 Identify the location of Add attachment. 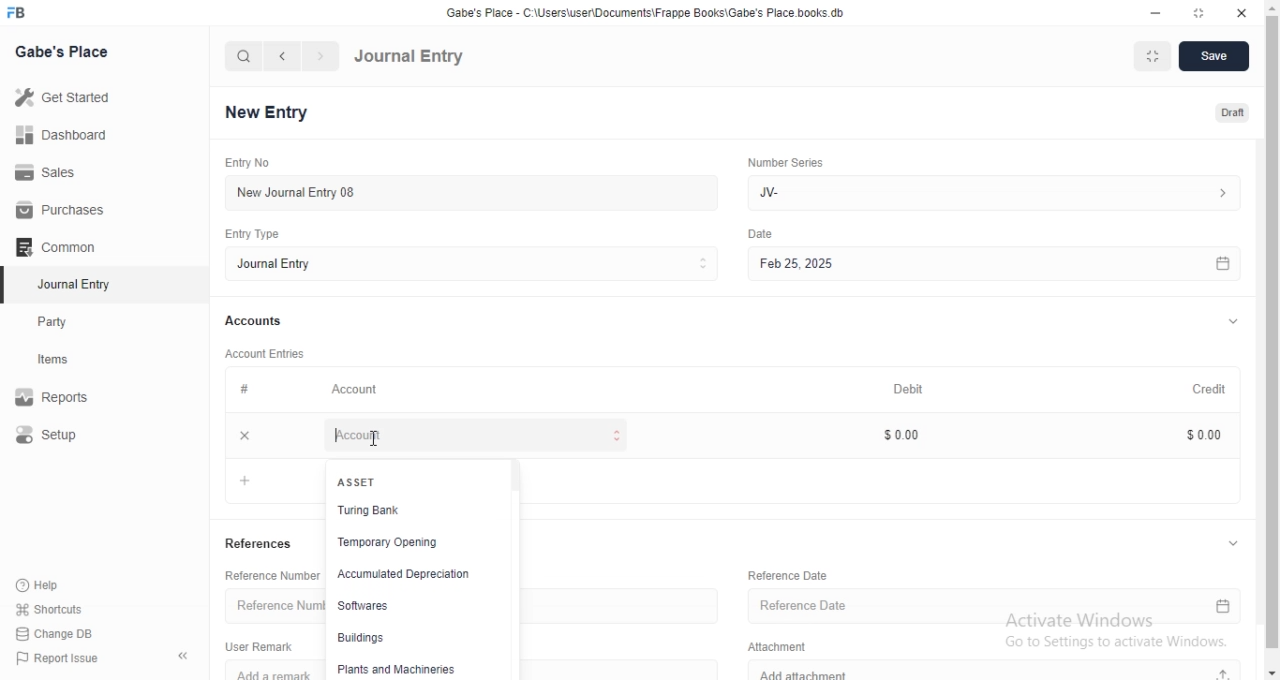
(1009, 671).